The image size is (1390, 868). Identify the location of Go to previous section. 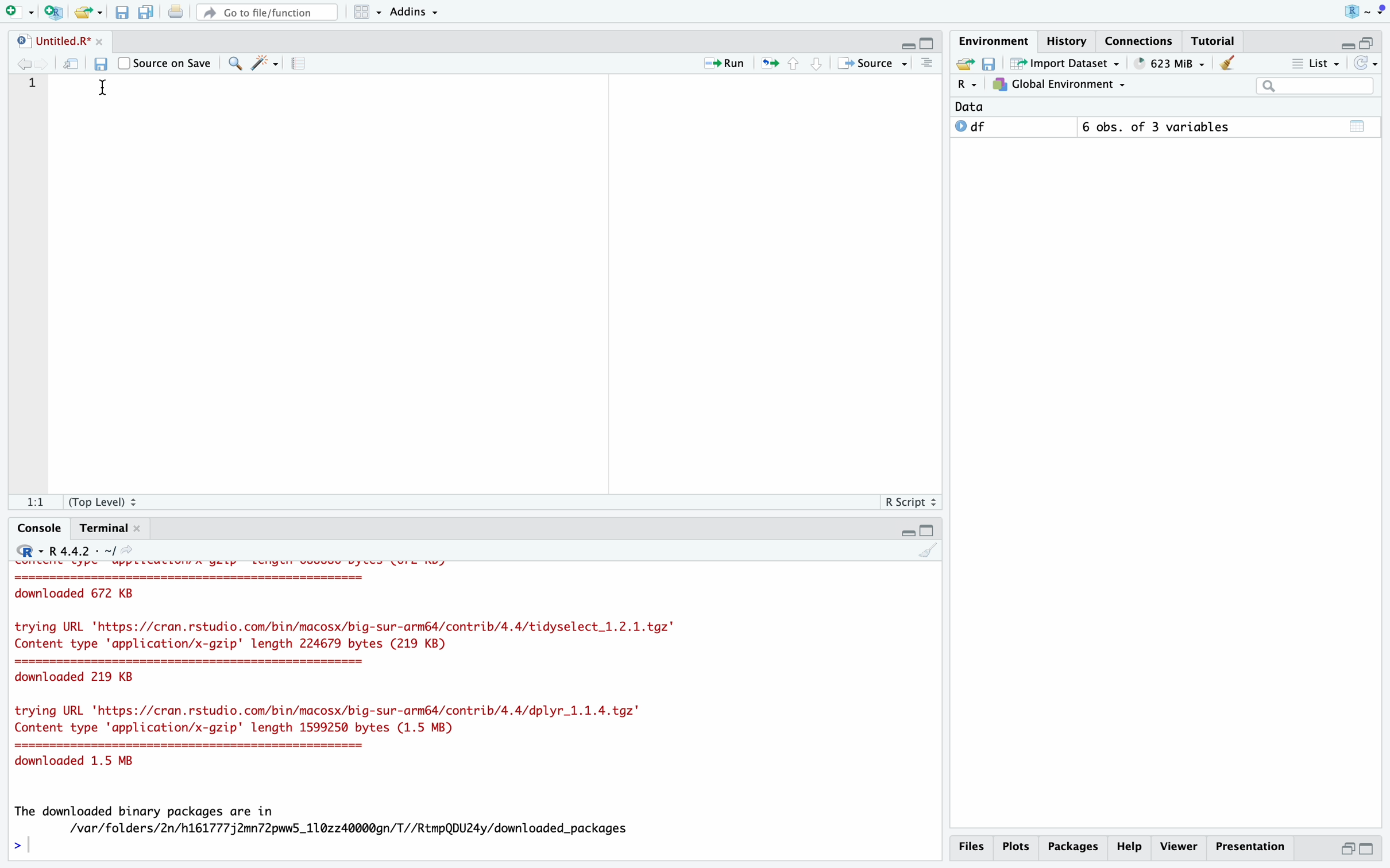
(794, 62).